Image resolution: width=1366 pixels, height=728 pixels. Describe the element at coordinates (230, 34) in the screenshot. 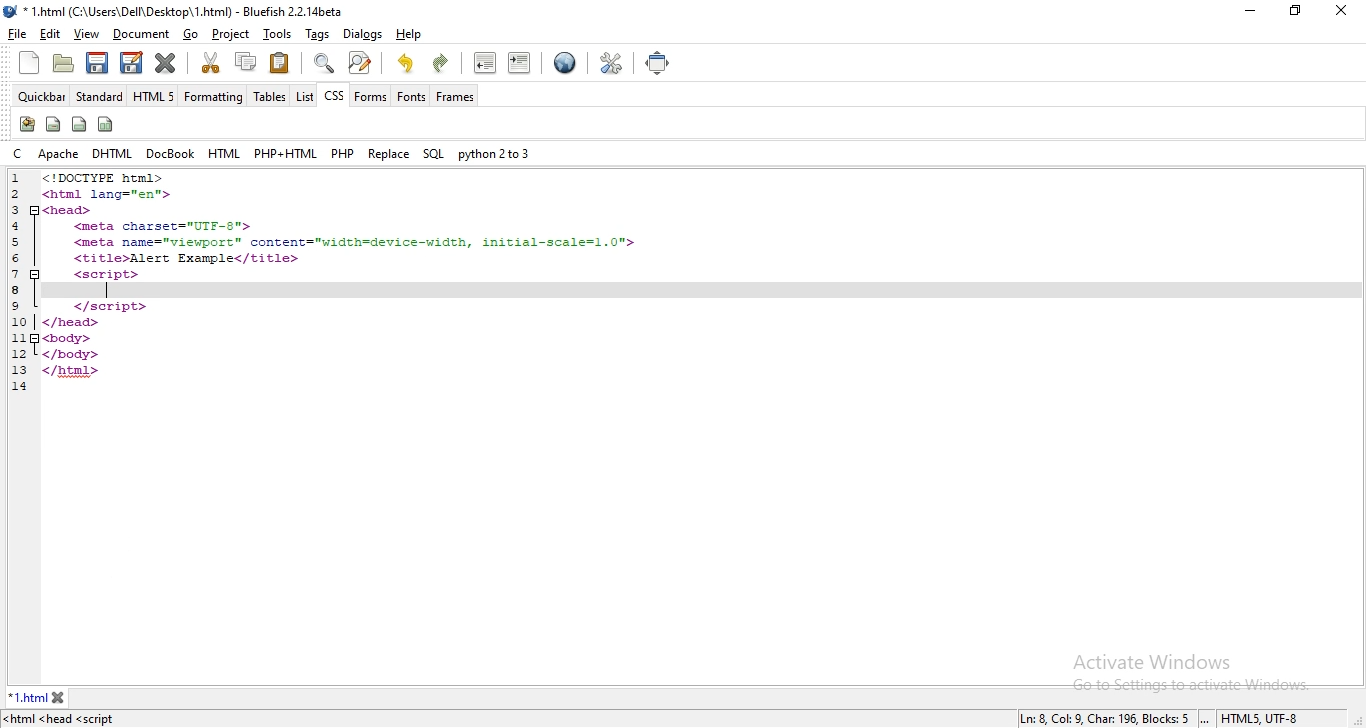

I see `project` at that location.